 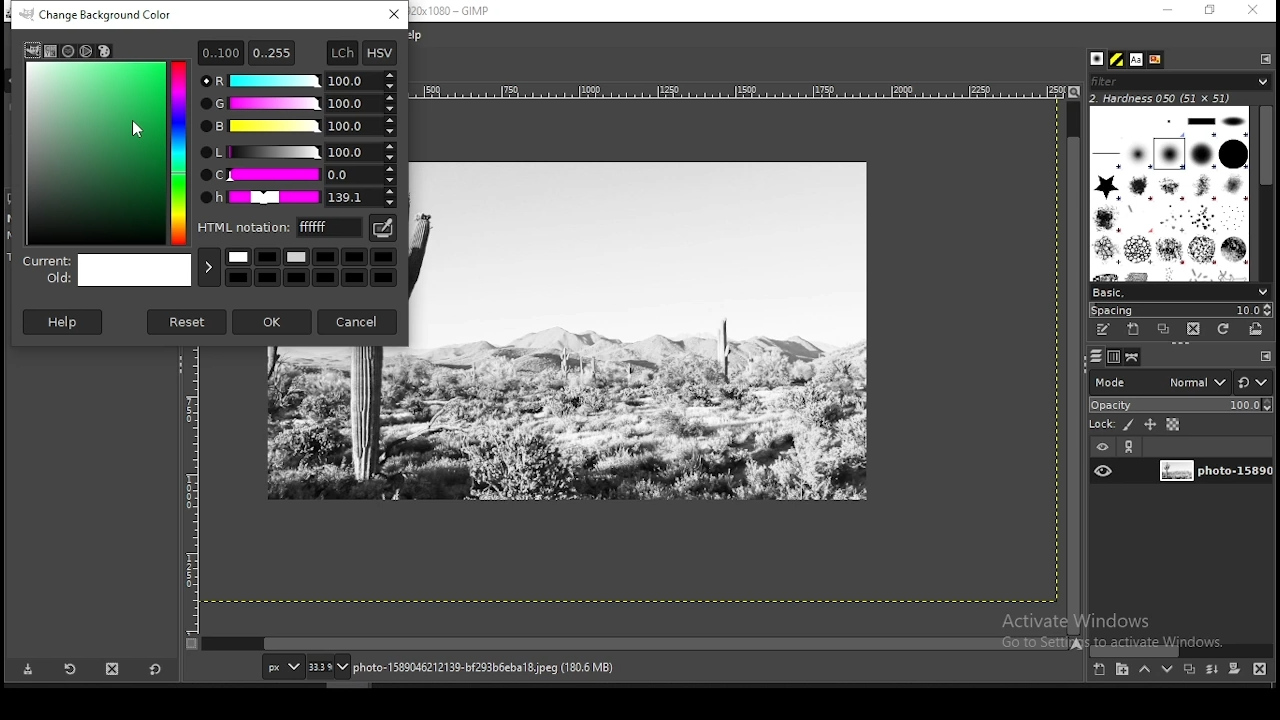 I want to click on scroll bar, so click(x=636, y=644).